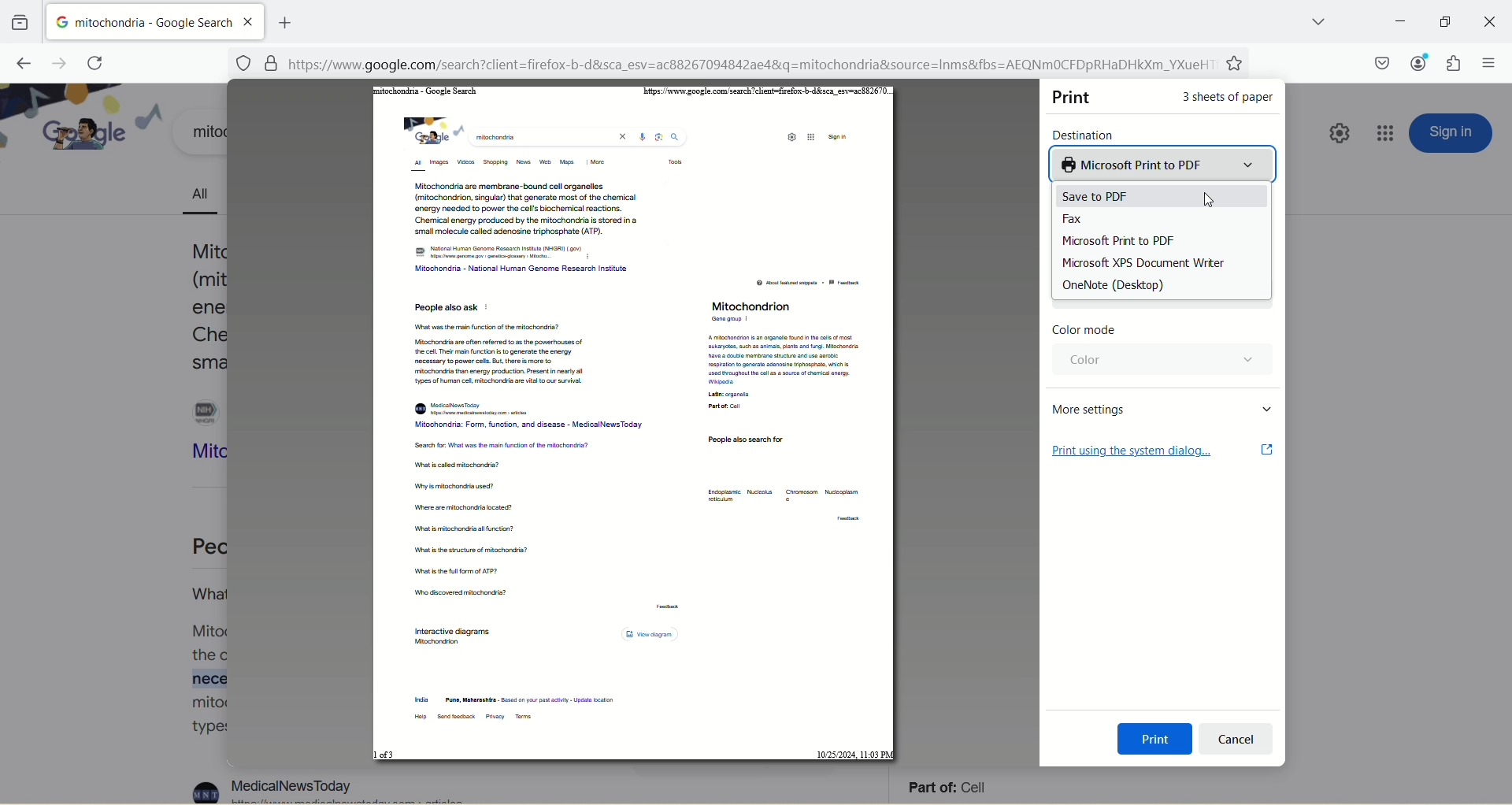  I want to click on cancel, so click(1236, 740).